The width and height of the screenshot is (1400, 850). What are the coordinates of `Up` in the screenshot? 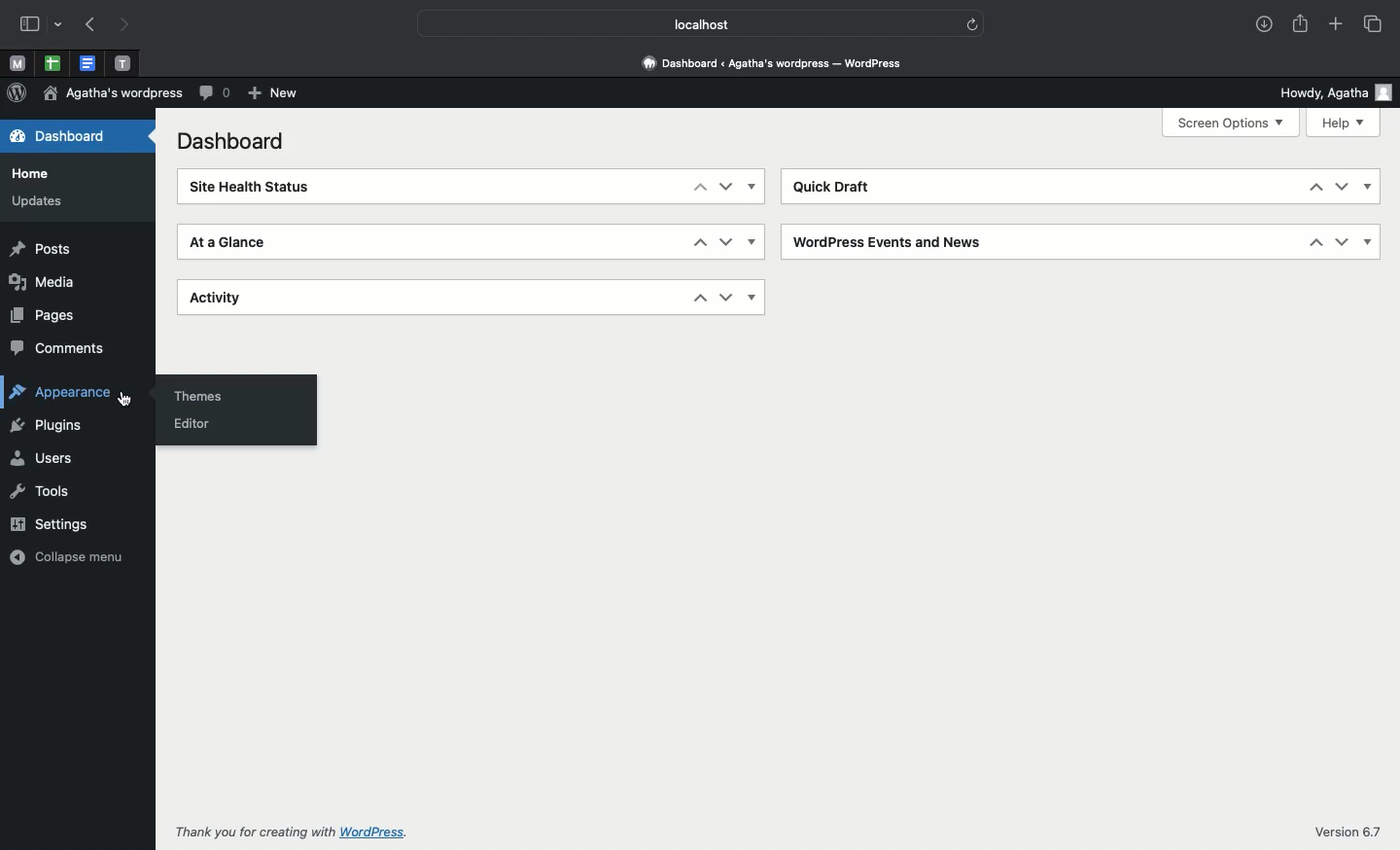 It's located at (699, 243).